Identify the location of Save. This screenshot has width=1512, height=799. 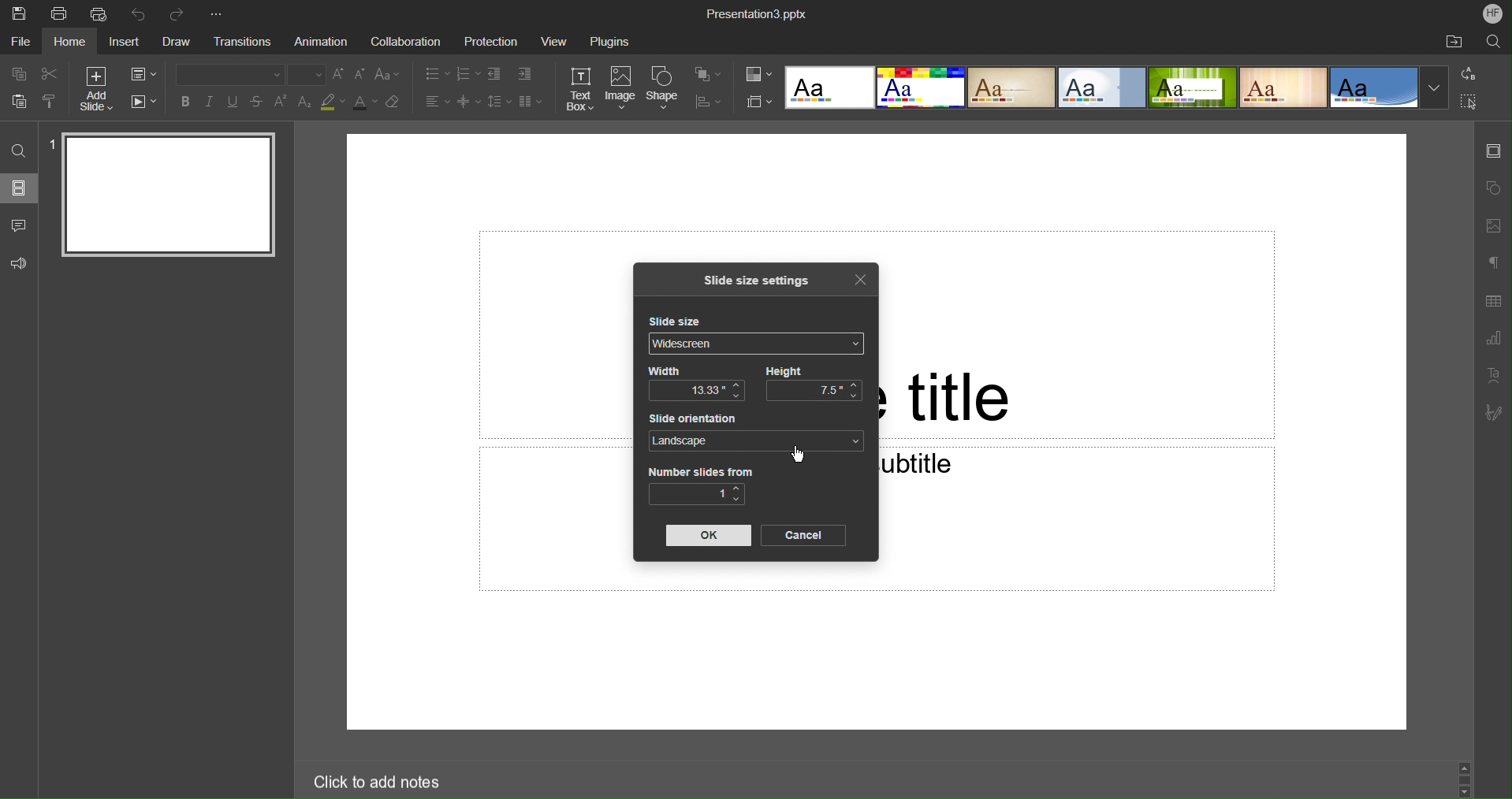
(20, 13).